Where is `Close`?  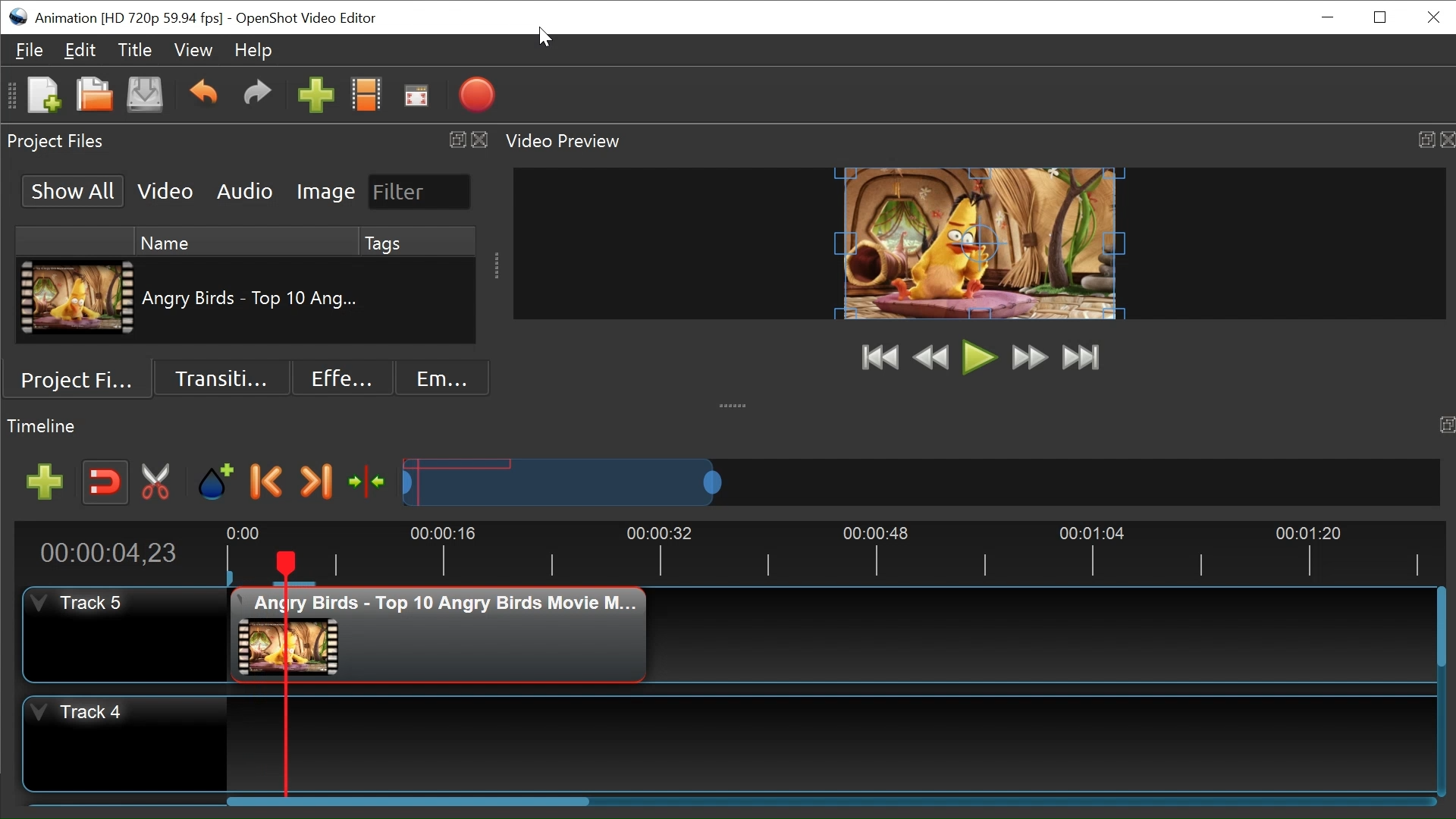 Close is located at coordinates (1431, 18).